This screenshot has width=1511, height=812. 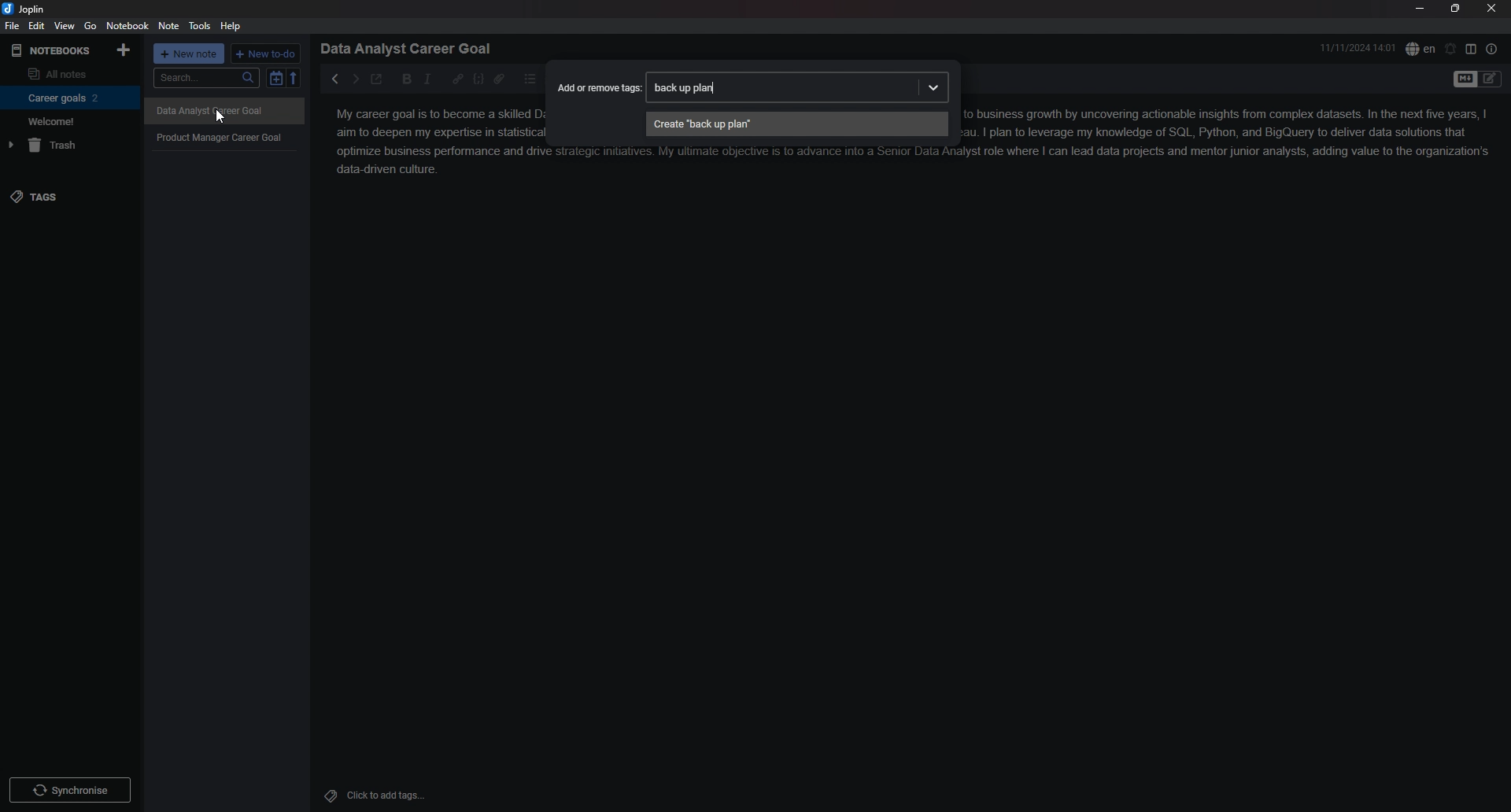 What do you see at coordinates (205, 78) in the screenshot?
I see `search...` at bounding box center [205, 78].